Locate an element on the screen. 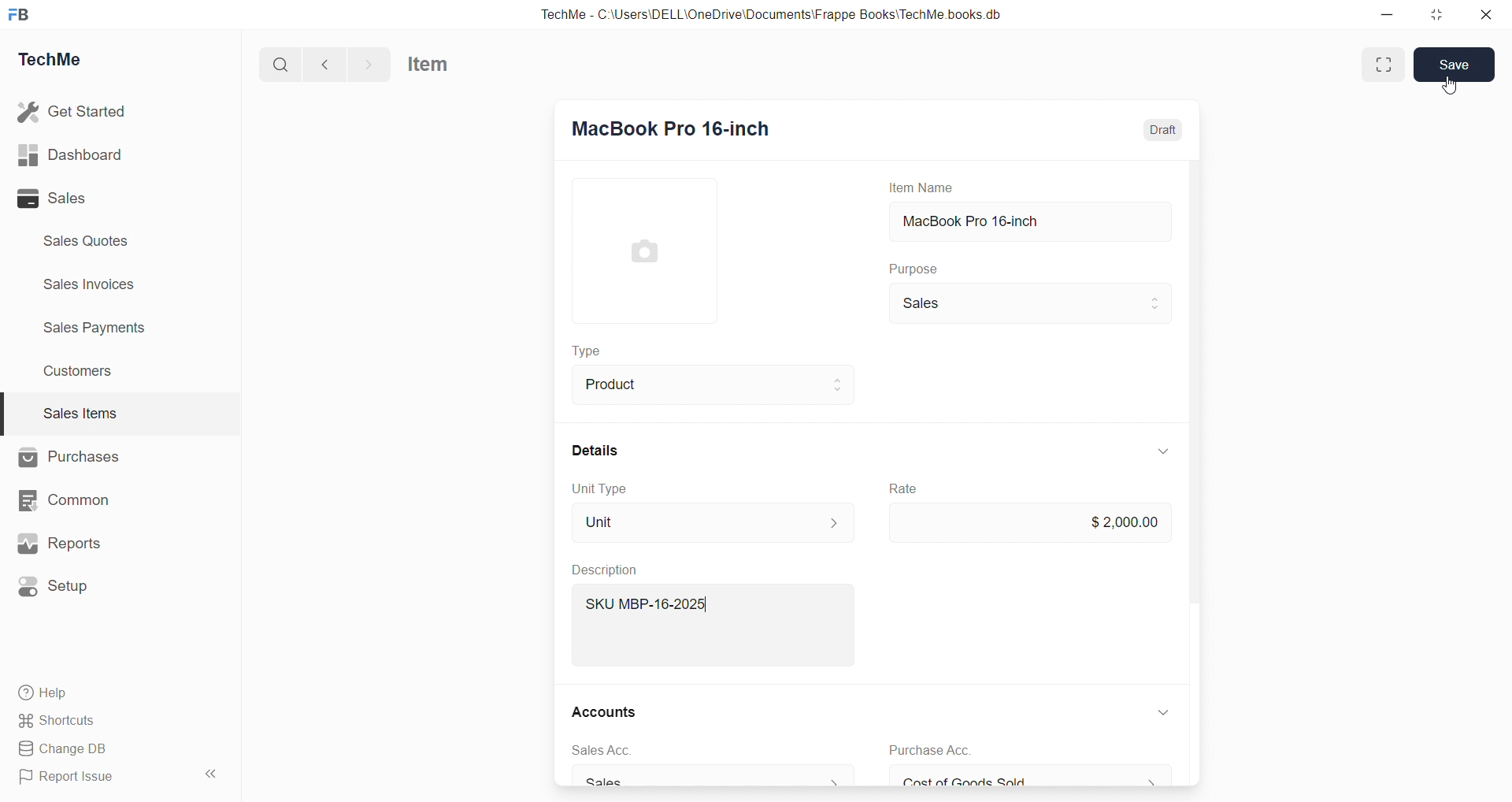  down is located at coordinates (1165, 713).